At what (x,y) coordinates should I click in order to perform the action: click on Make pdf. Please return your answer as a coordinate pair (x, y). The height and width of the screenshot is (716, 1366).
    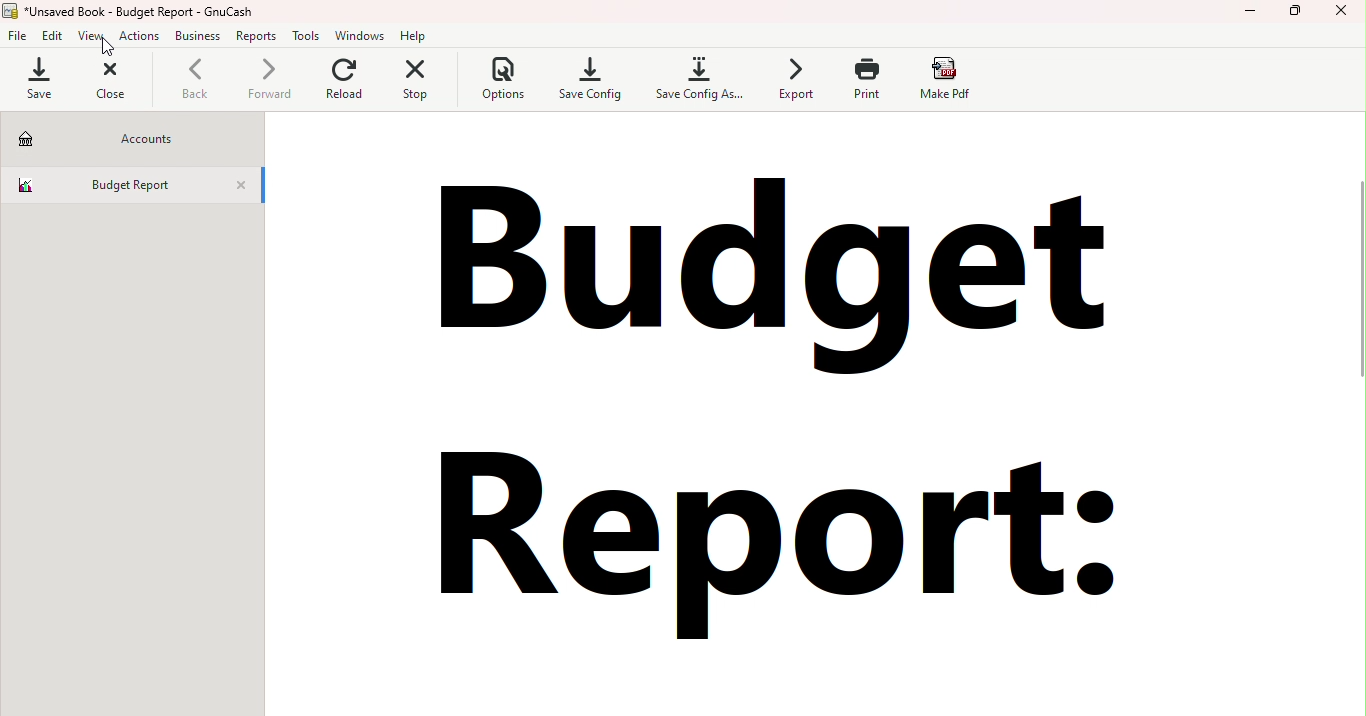
    Looking at the image, I should click on (946, 79).